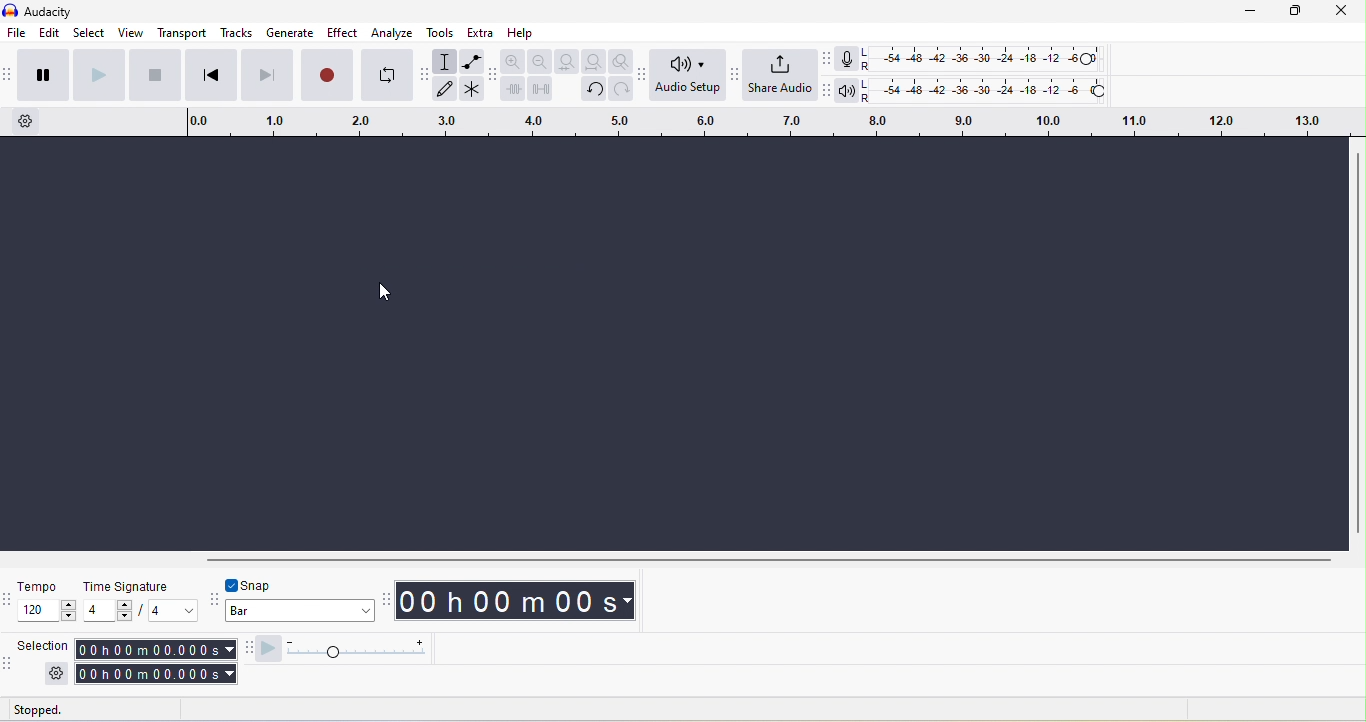 The image size is (1366, 722). What do you see at coordinates (246, 649) in the screenshot?
I see `play at speed toolbar` at bounding box center [246, 649].